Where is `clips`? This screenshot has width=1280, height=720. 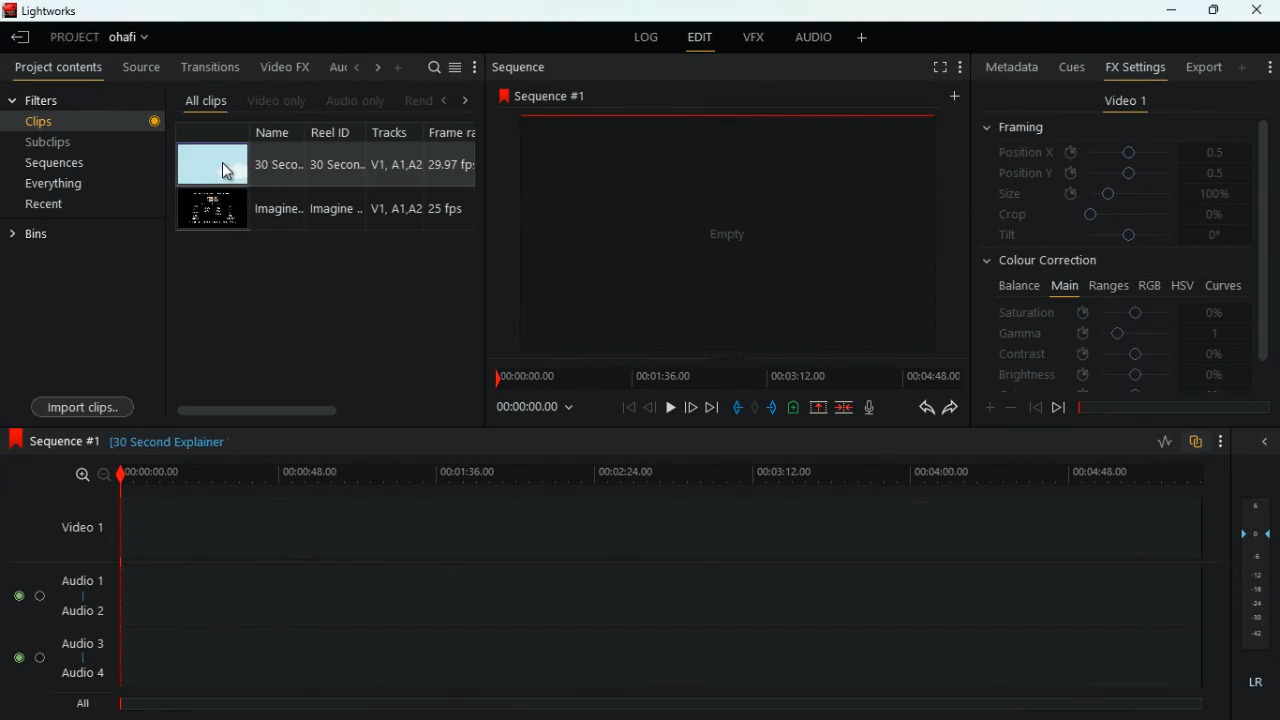 clips is located at coordinates (74, 121).